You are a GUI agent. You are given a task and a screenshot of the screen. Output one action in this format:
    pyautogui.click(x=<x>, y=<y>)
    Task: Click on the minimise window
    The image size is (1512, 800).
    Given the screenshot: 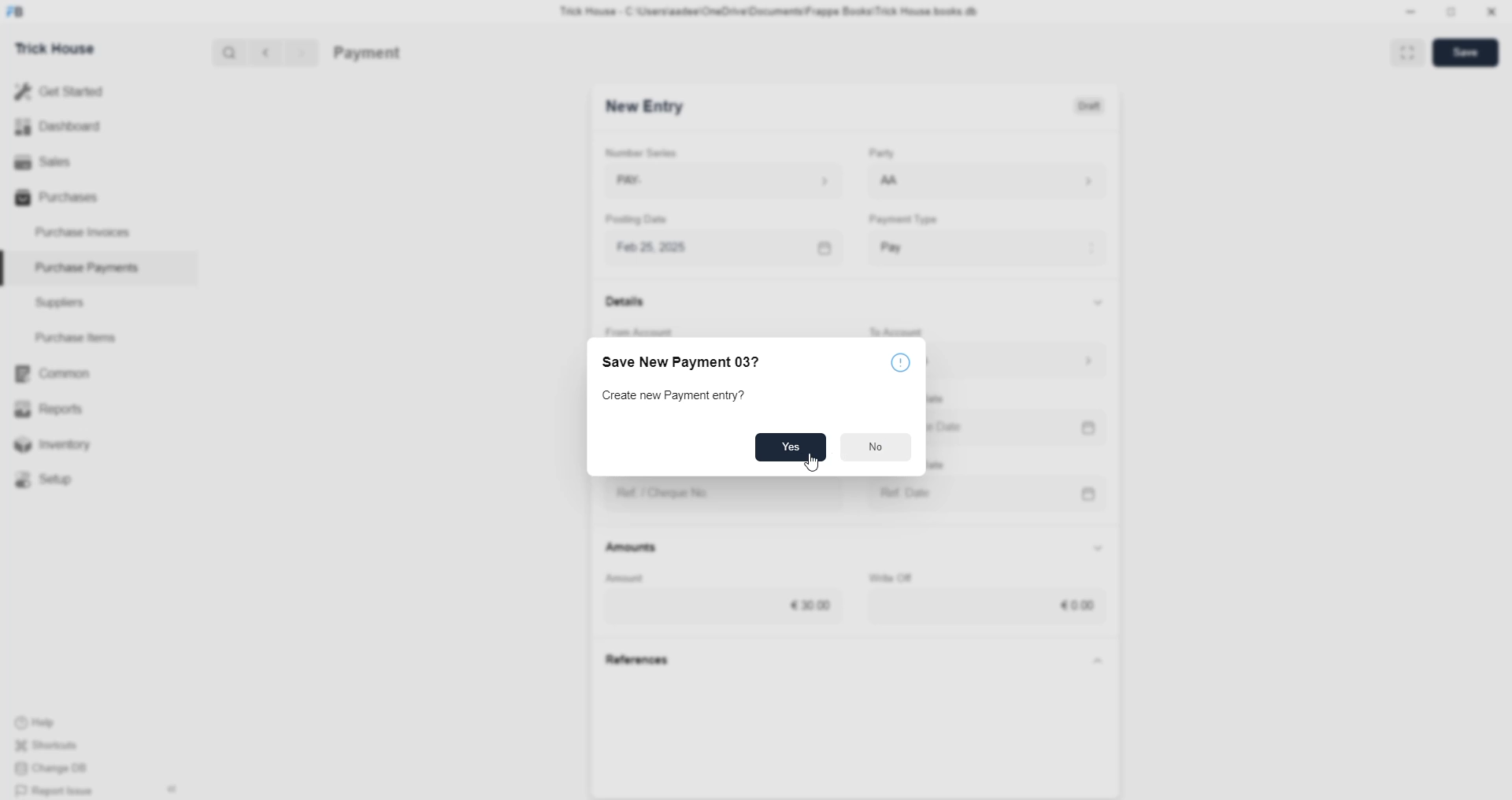 What is the action you would take?
    pyautogui.click(x=1450, y=13)
    